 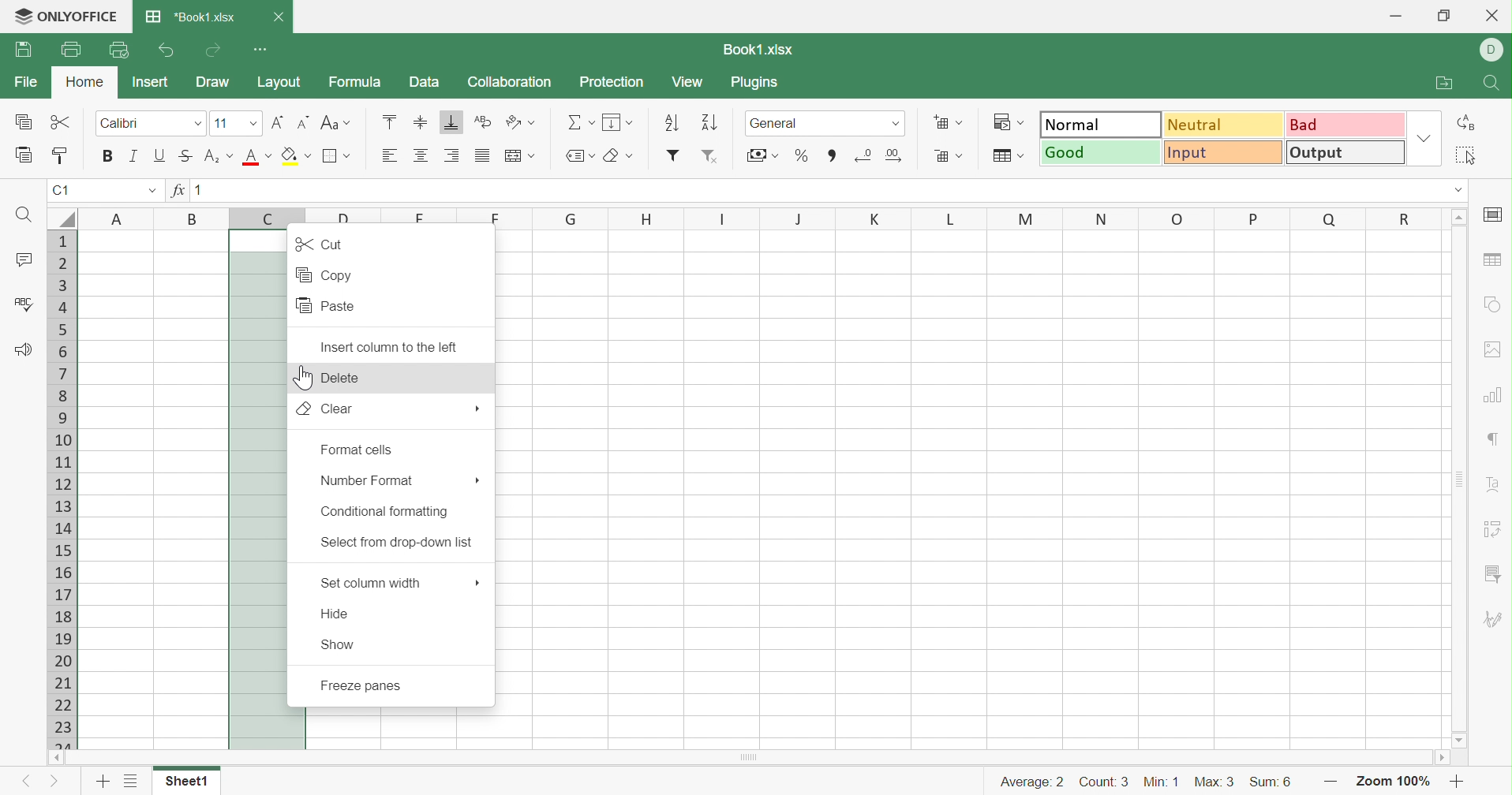 What do you see at coordinates (305, 155) in the screenshot?
I see `Drop Down` at bounding box center [305, 155].